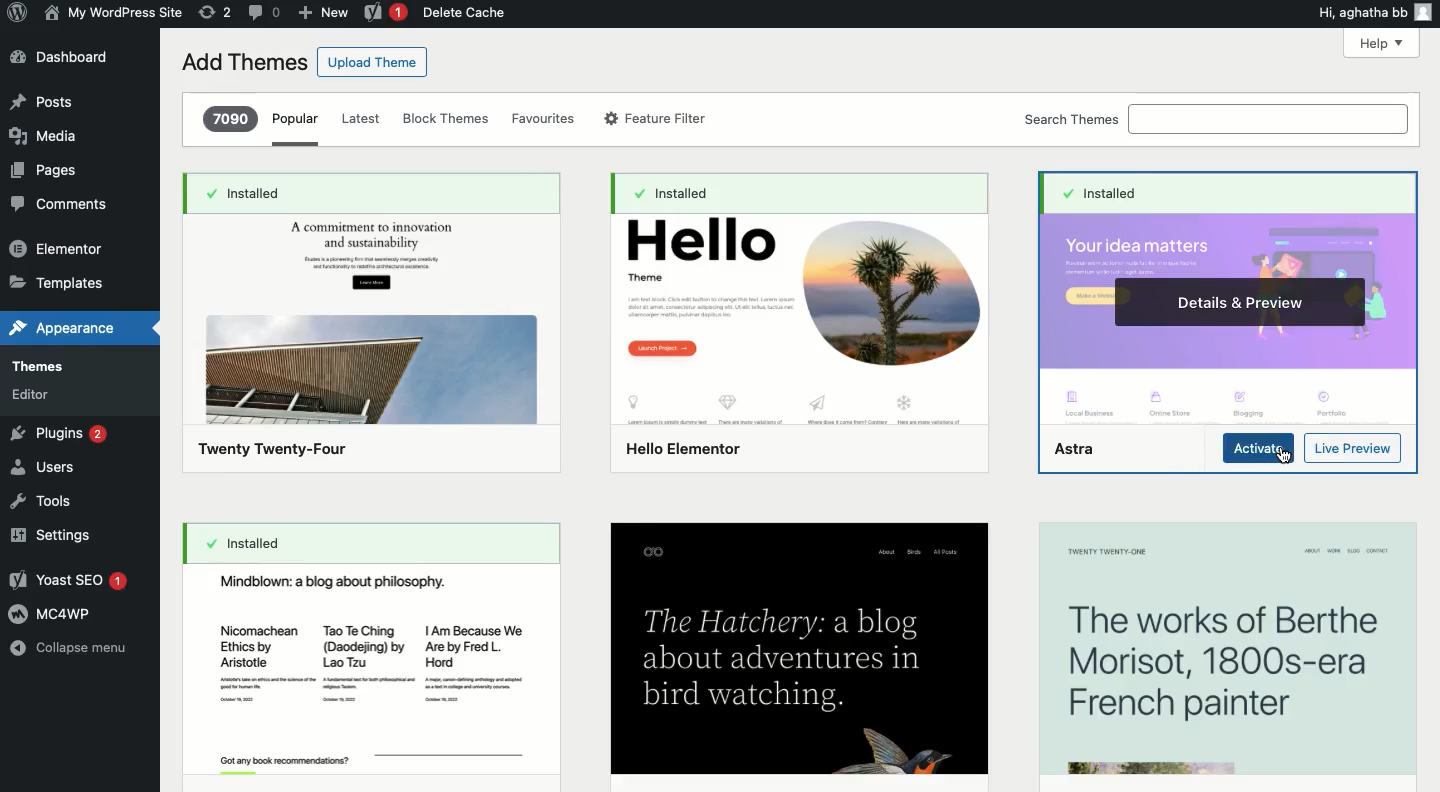 This screenshot has width=1440, height=792. What do you see at coordinates (64, 57) in the screenshot?
I see `Dashboard` at bounding box center [64, 57].